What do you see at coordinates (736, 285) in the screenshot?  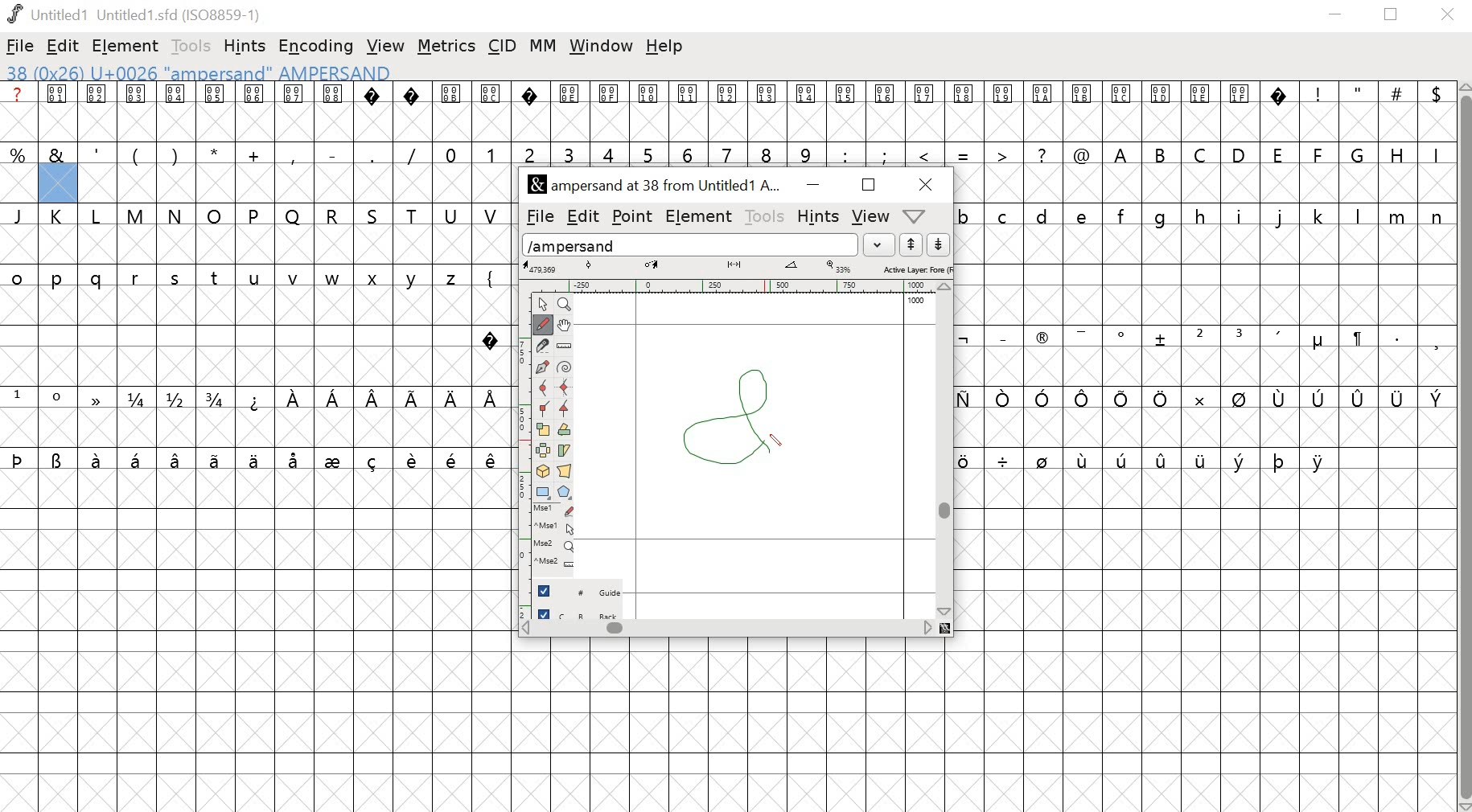 I see `horizontal ruler` at bounding box center [736, 285].